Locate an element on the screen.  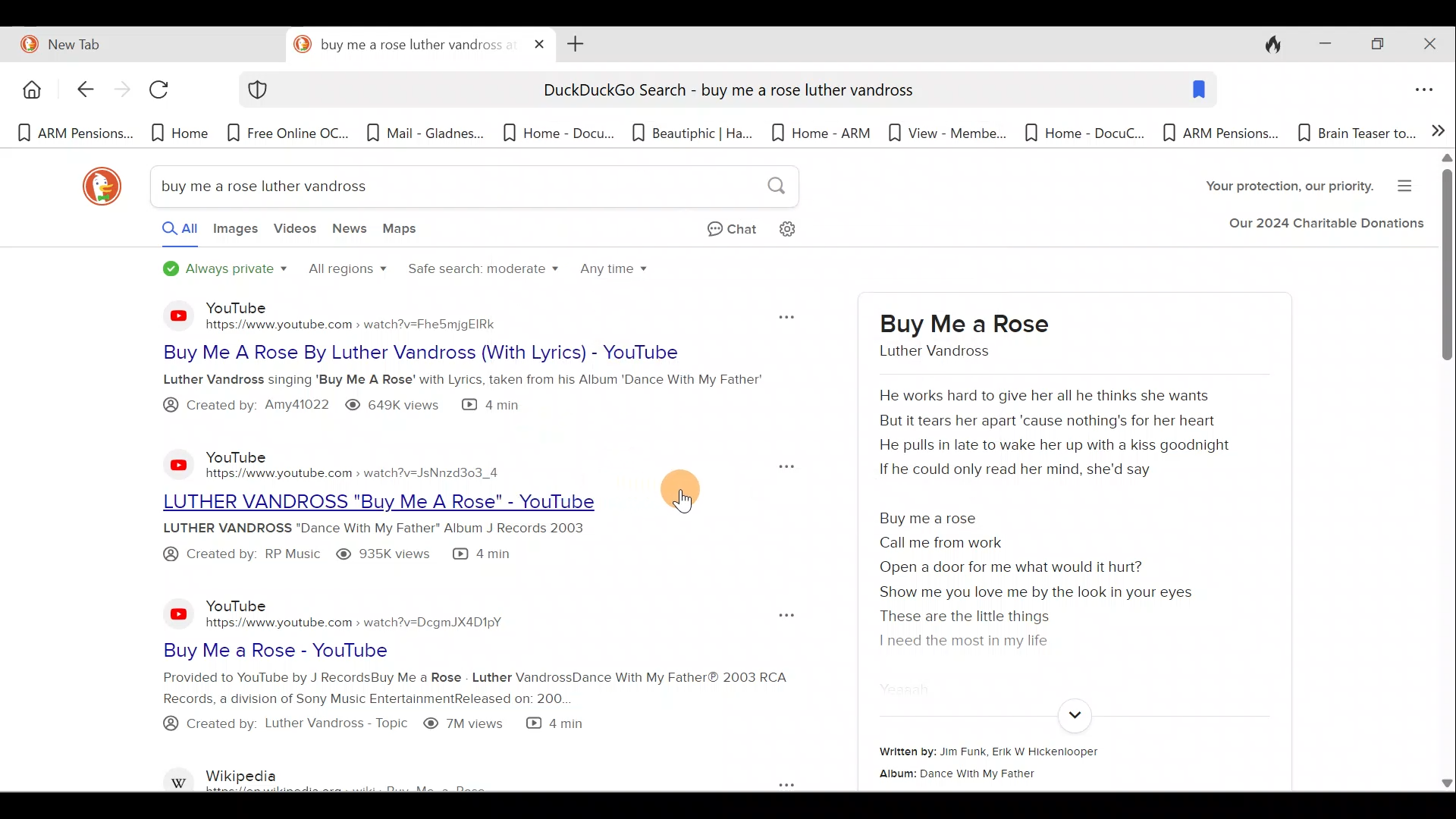
buy me a rose luther vandross is located at coordinates (957, 335).